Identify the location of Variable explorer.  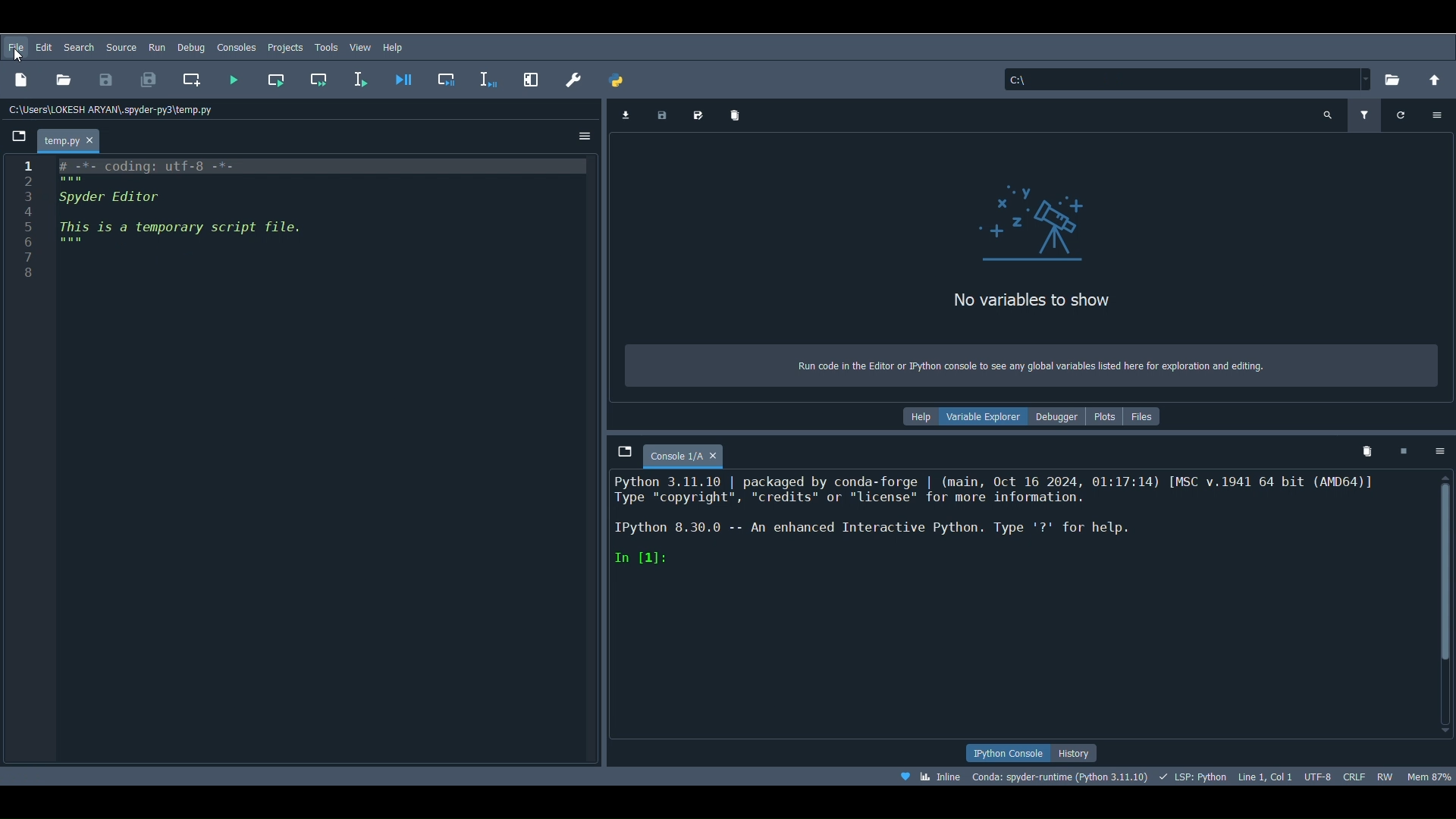
(984, 414).